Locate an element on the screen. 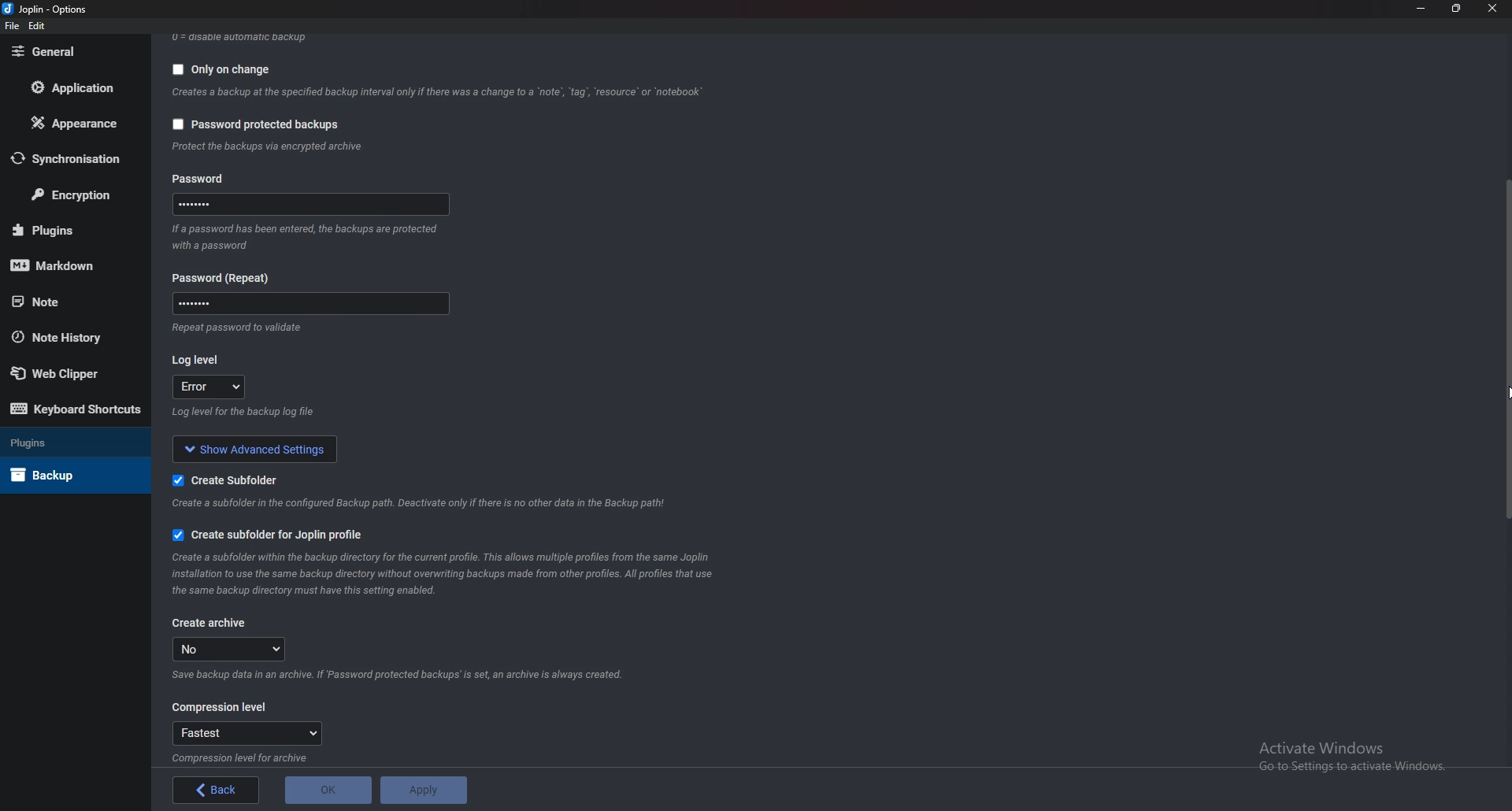  no is located at coordinates (230, 649).